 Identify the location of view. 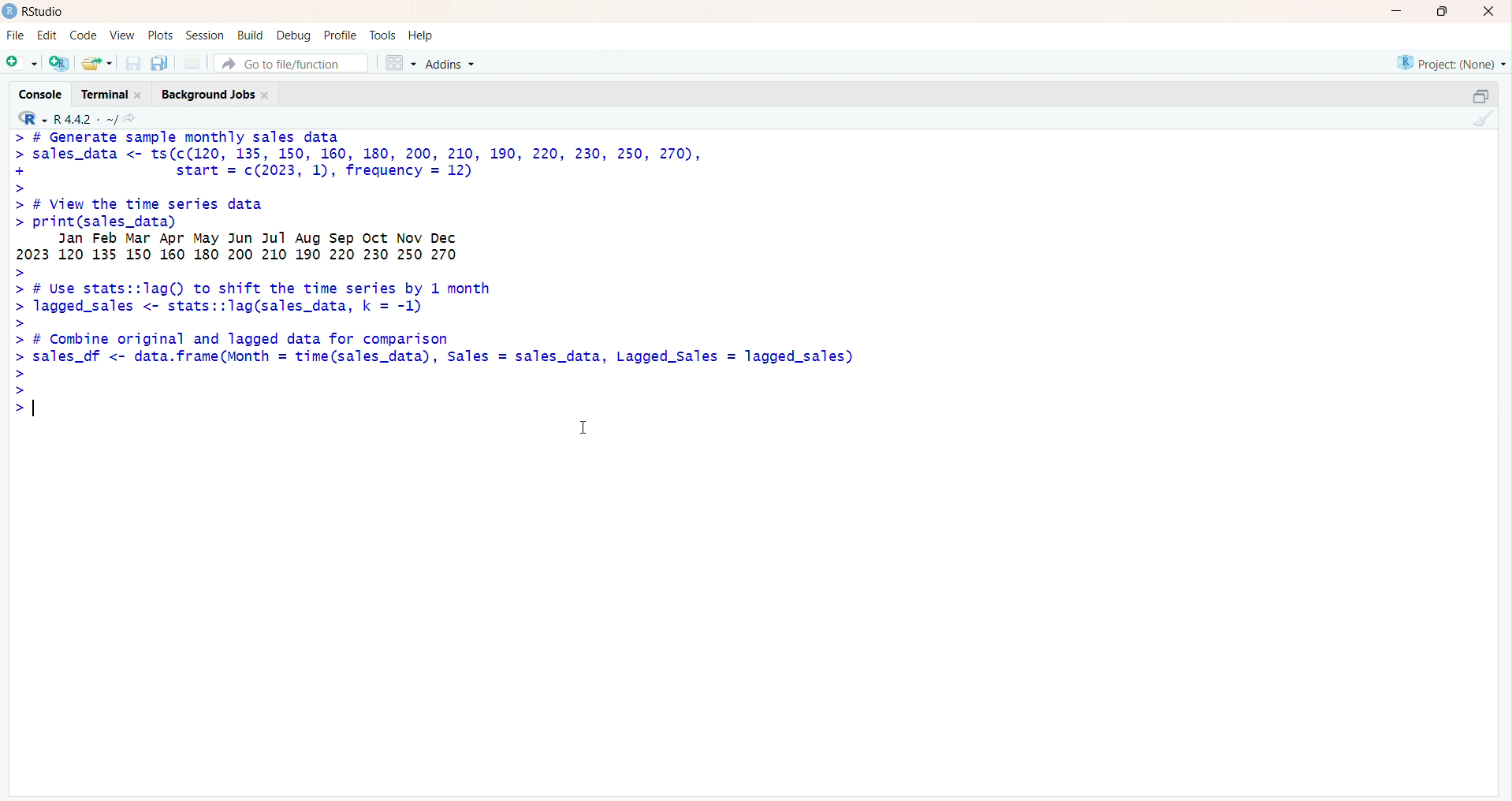
(121, 35).